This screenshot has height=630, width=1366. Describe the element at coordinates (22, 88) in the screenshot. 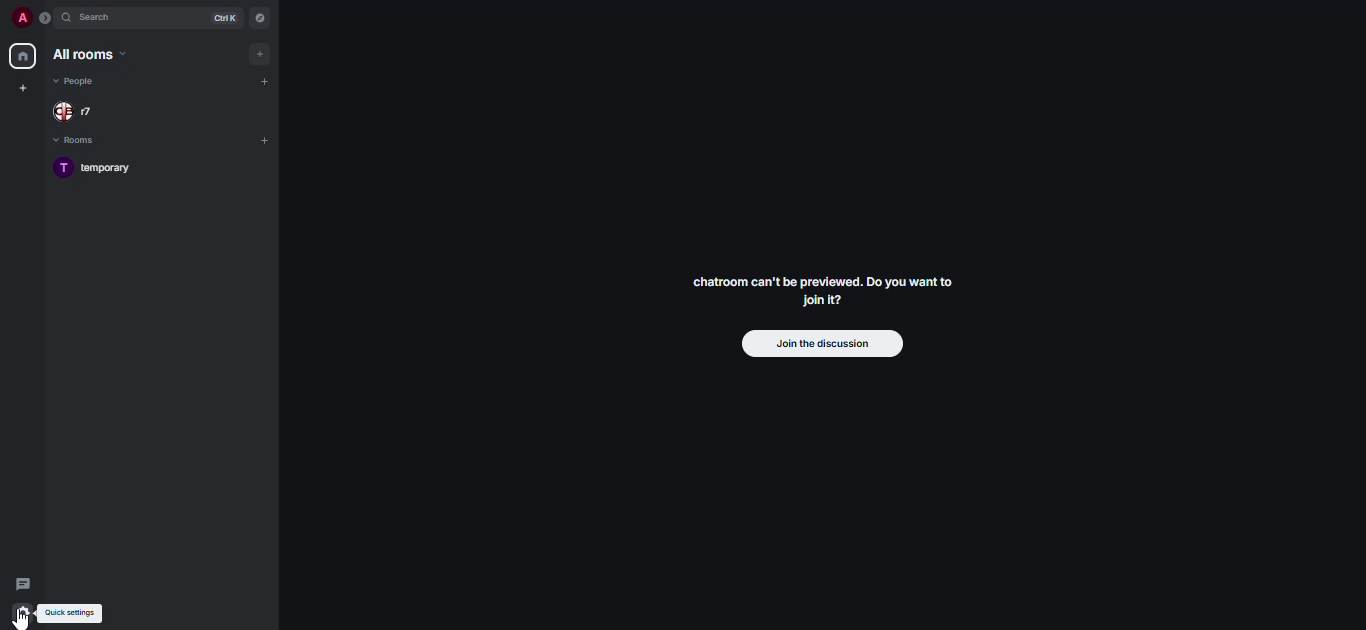

I see `create space` at that location.